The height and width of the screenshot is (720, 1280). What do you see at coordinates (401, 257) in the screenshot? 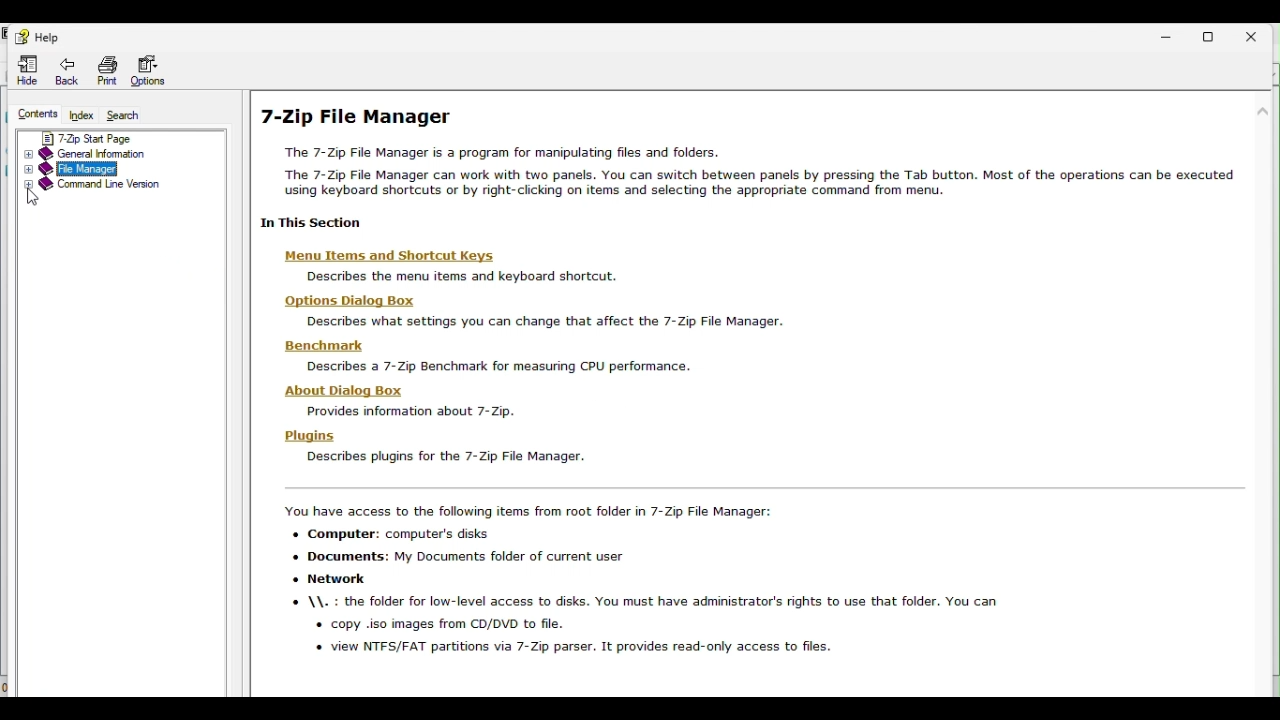
I see `menu items and shortcut` at bounding box center [401, 257].